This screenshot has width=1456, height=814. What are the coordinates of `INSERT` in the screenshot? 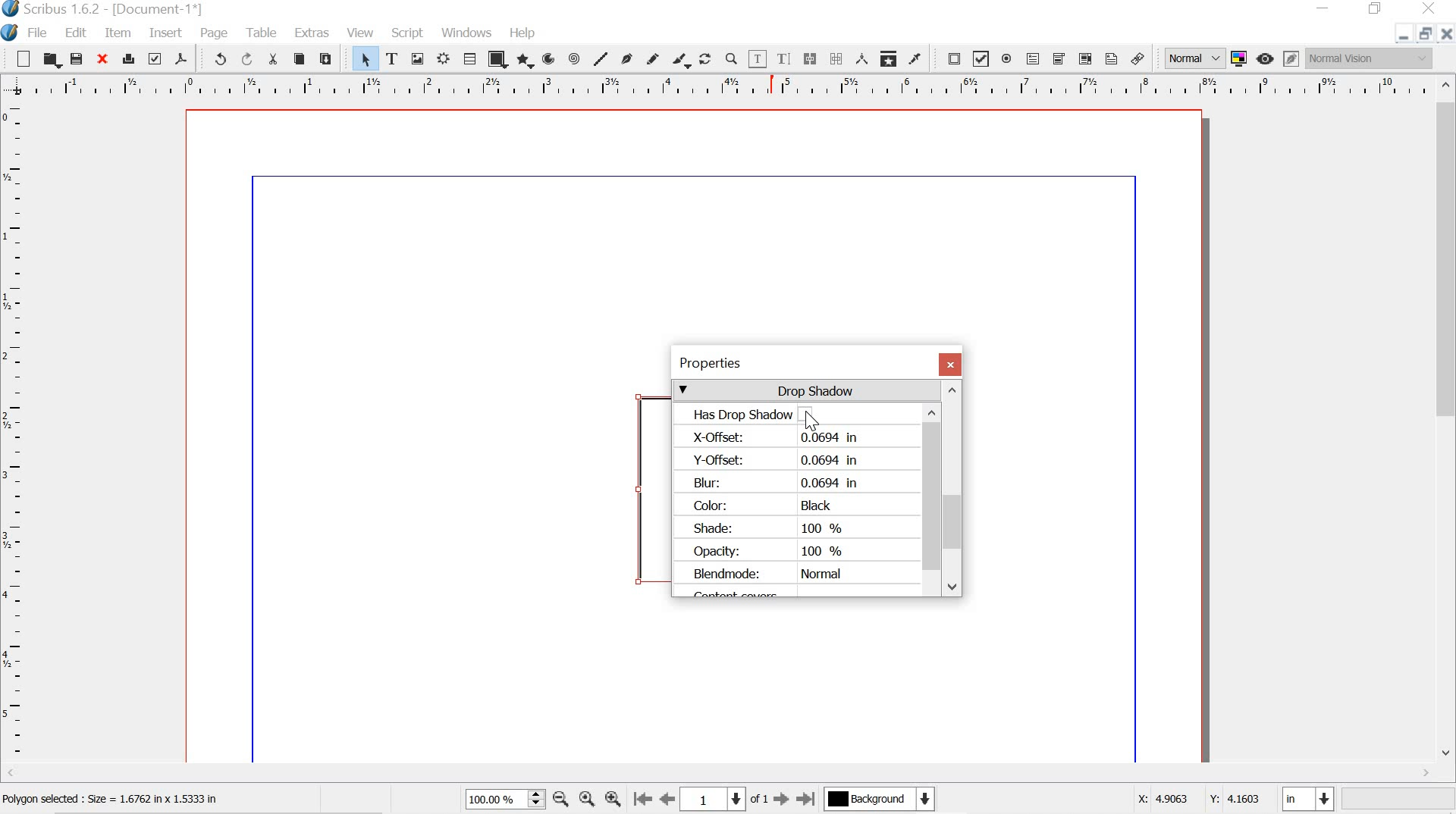 It's located at (165, 34).